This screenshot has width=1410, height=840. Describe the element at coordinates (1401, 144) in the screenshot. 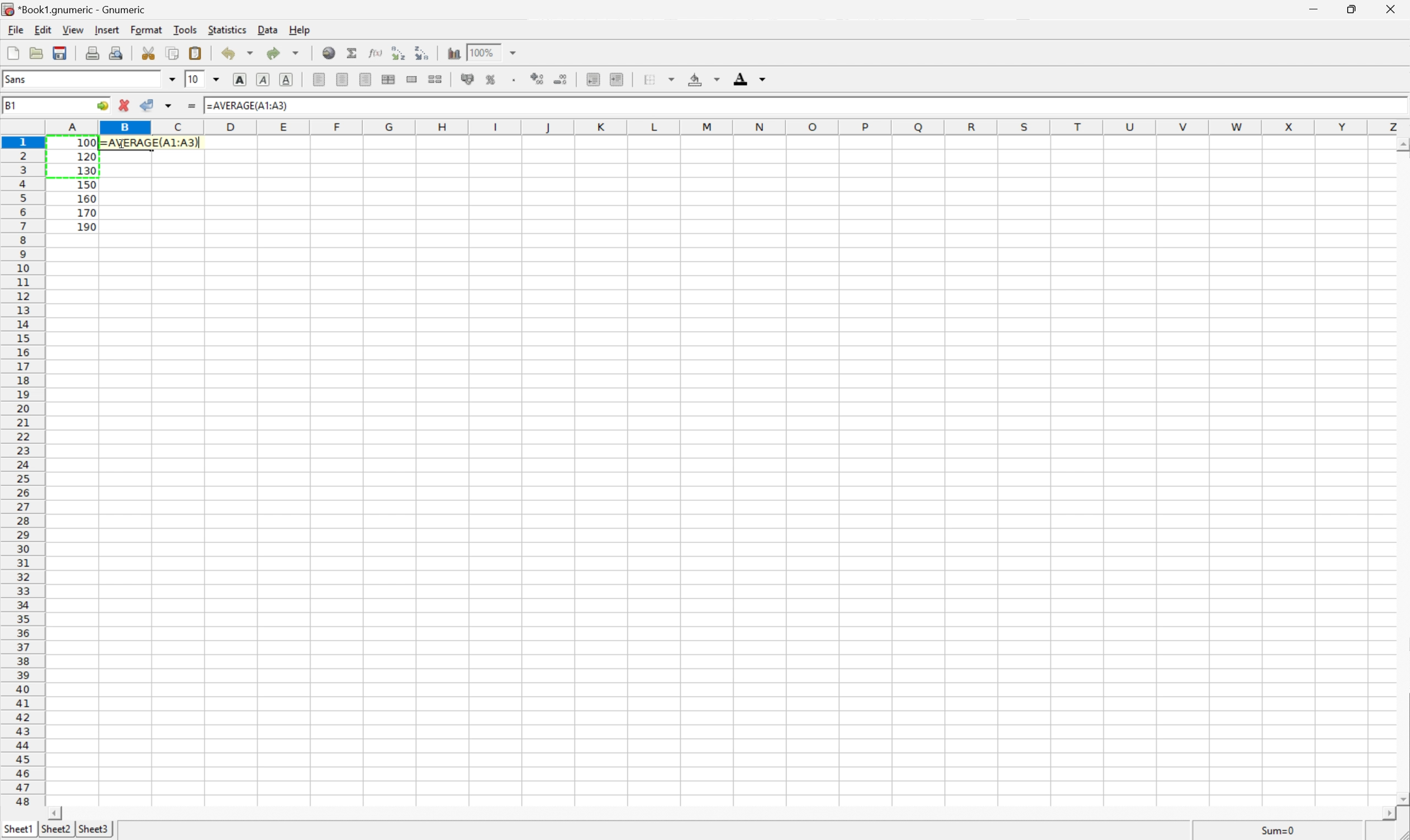

I see `Scroll Up` at that location.